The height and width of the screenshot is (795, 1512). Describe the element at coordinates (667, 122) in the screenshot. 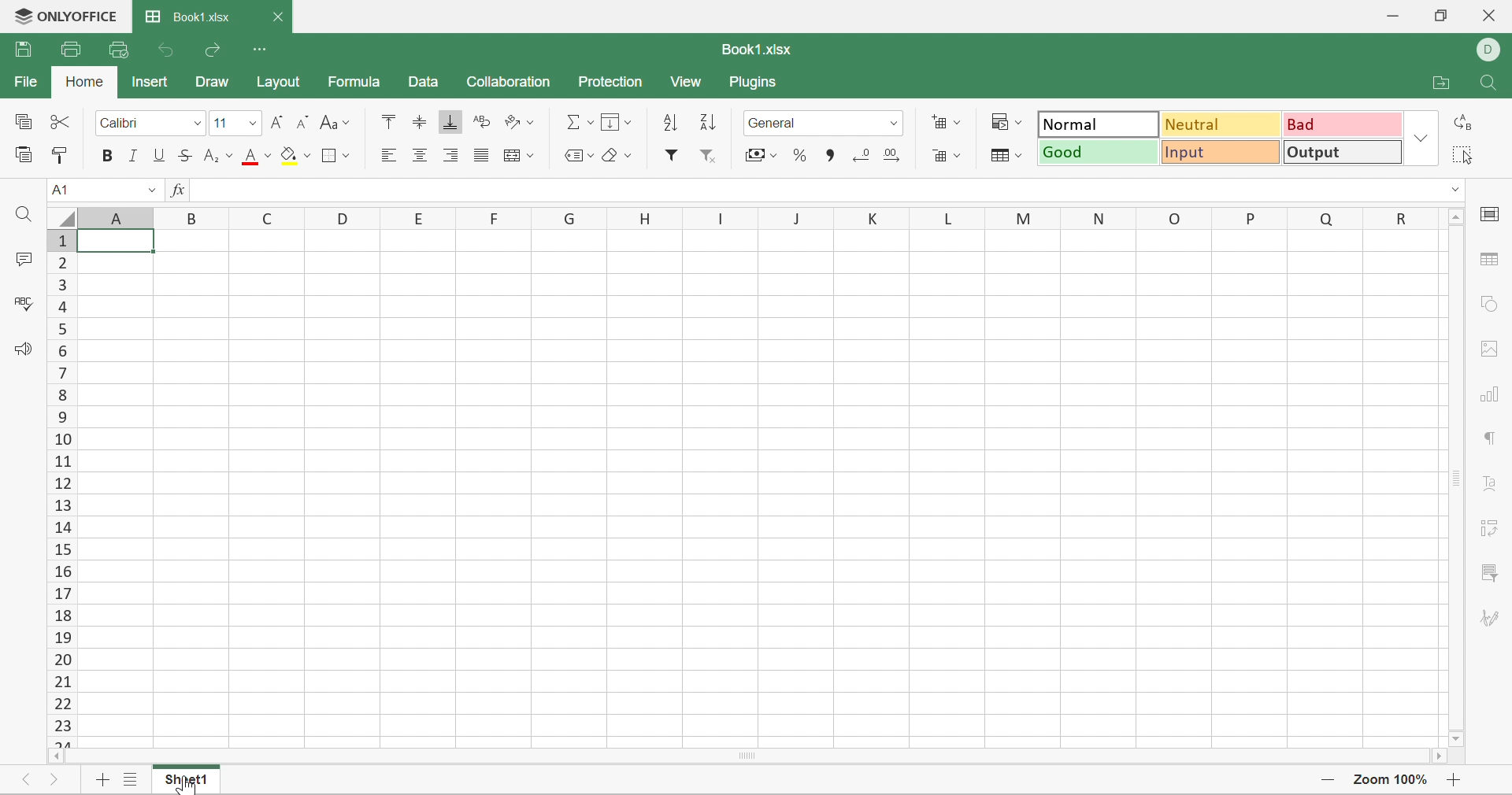

I see `Sort ascending` at that location.